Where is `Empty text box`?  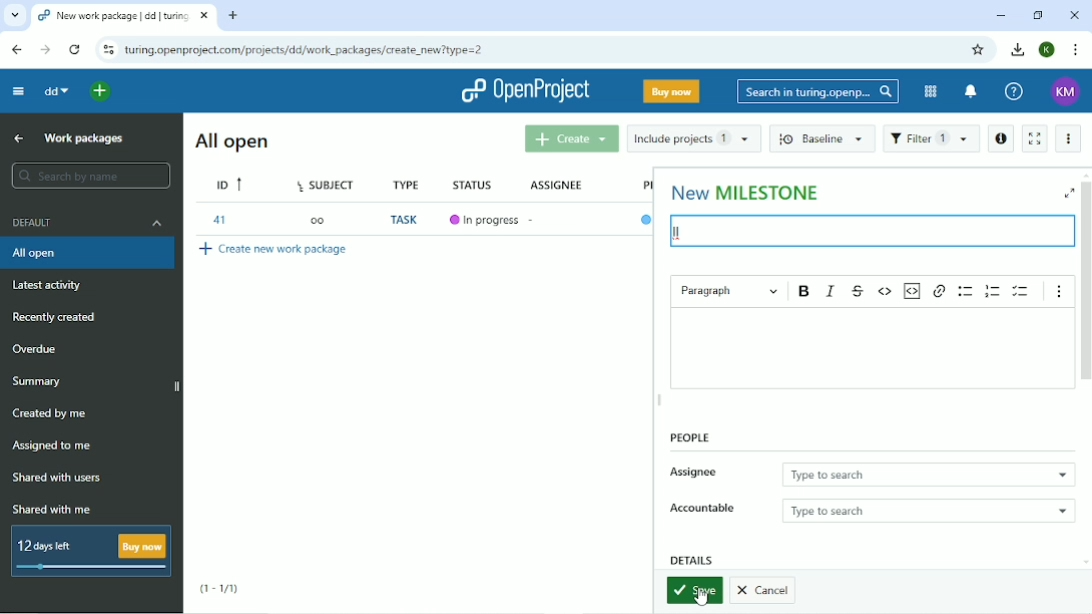 Empty text box is located at coordinates (871, 349).